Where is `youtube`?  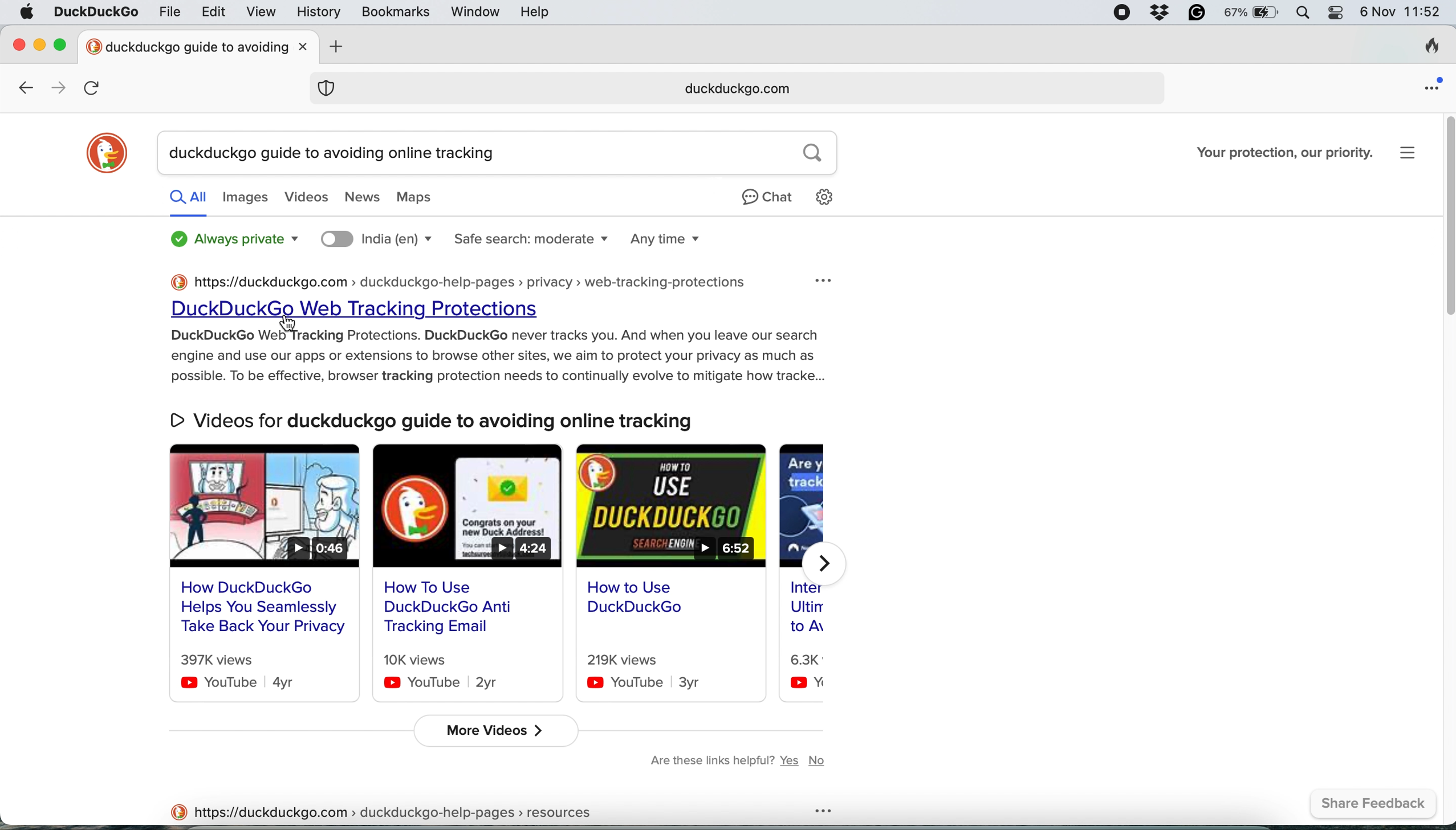
youtube is located at coordinates (392, 682).